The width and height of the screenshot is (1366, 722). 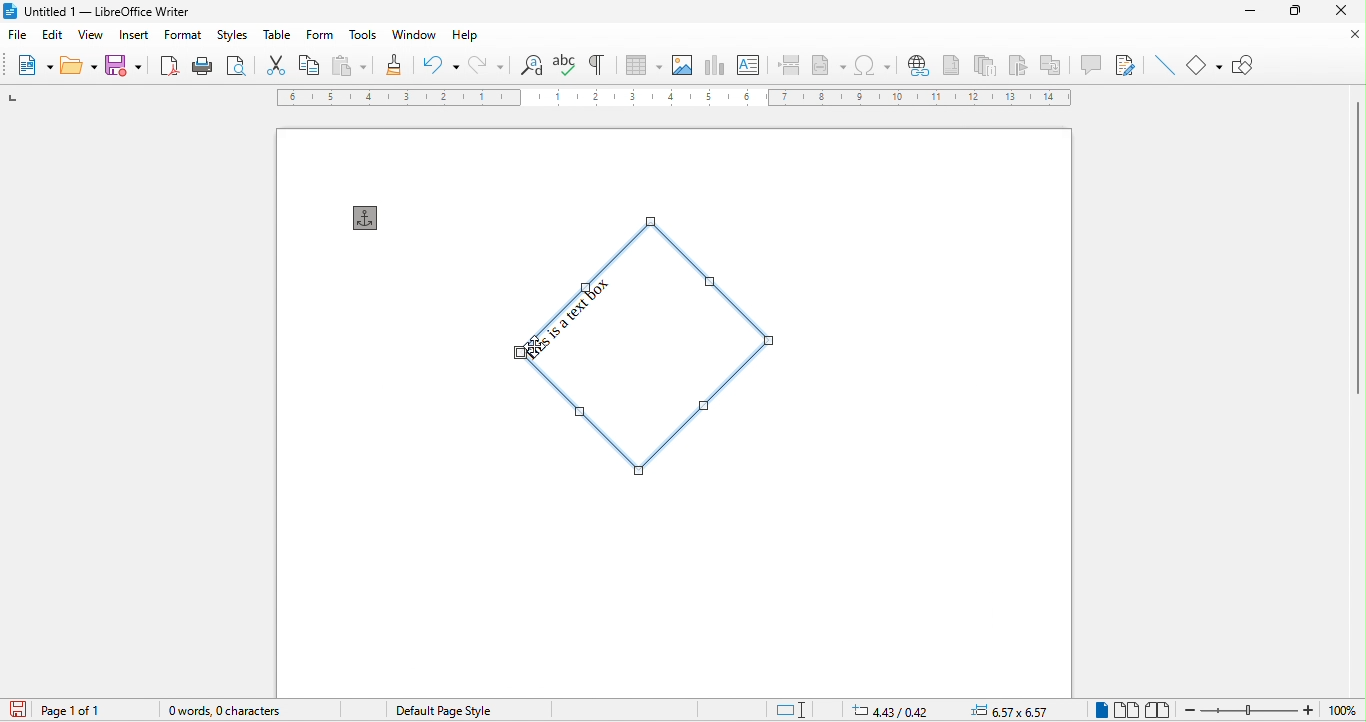 What do you see at coordinates (392, 66) in the screenshot?
I see `clone formatting` at bounding box center [392, 66].